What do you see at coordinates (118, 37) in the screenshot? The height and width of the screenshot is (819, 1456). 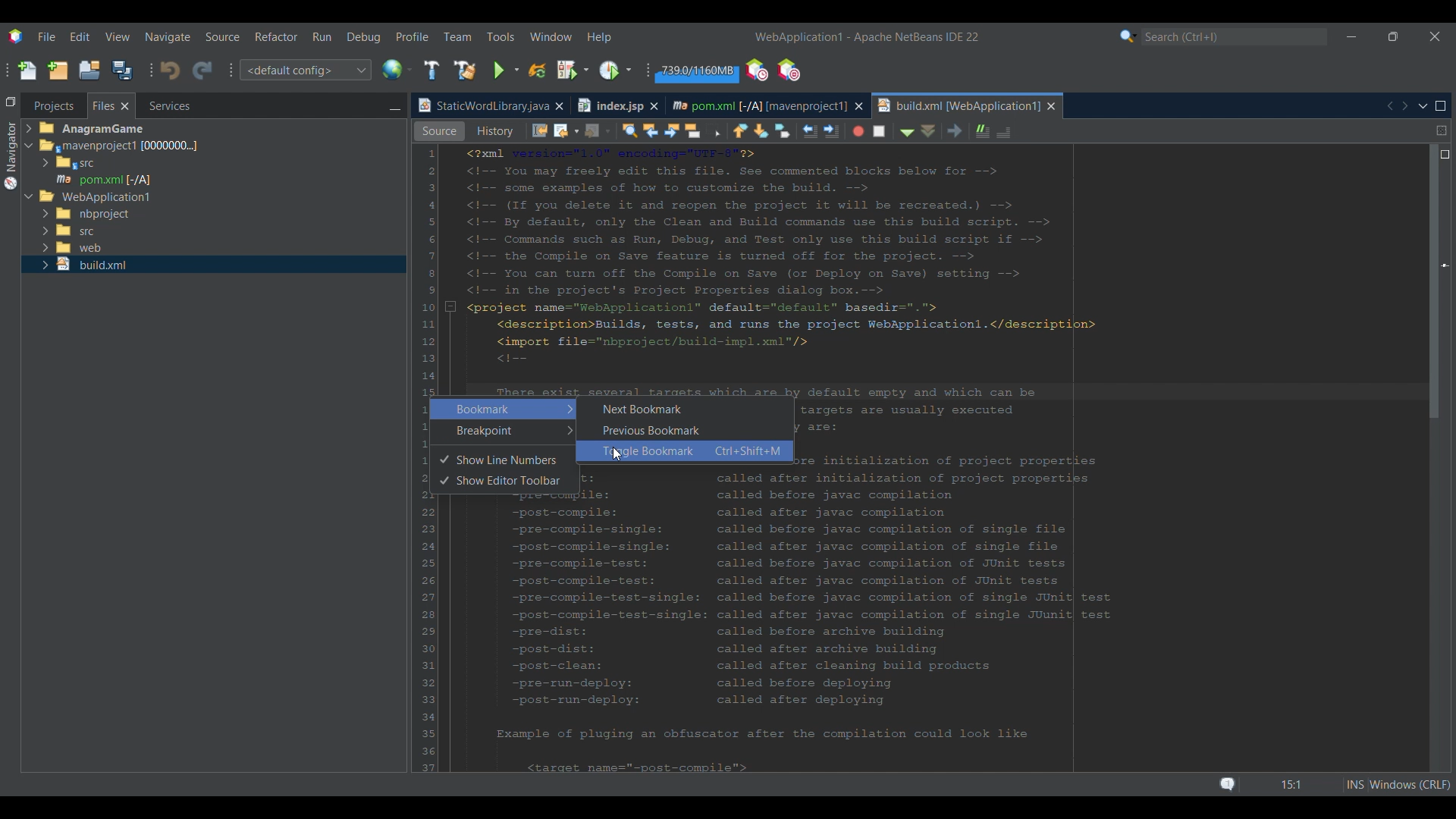 I see `View menu` at bounding box center [118, 37].